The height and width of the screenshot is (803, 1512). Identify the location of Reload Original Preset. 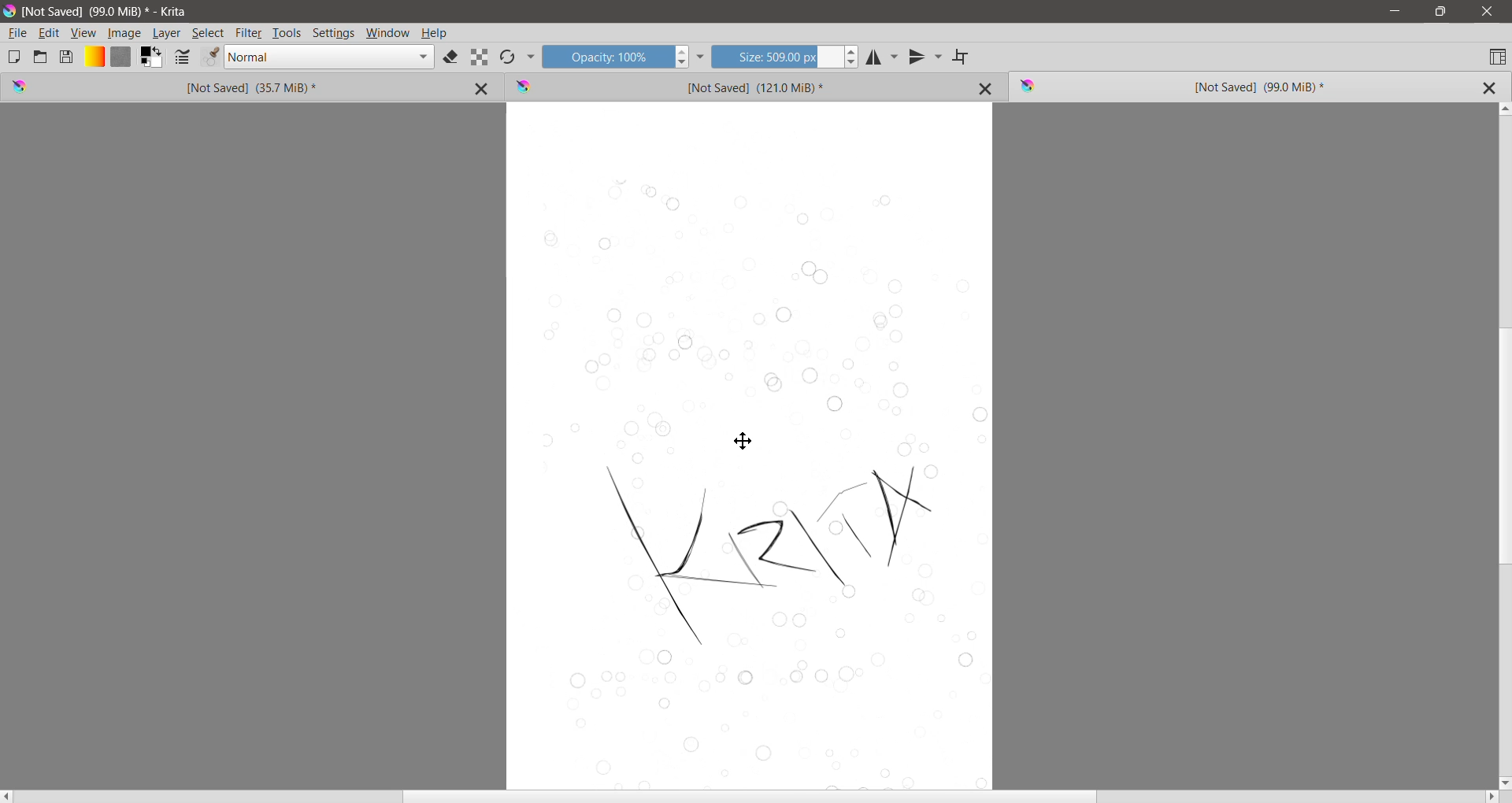
(507, 57).